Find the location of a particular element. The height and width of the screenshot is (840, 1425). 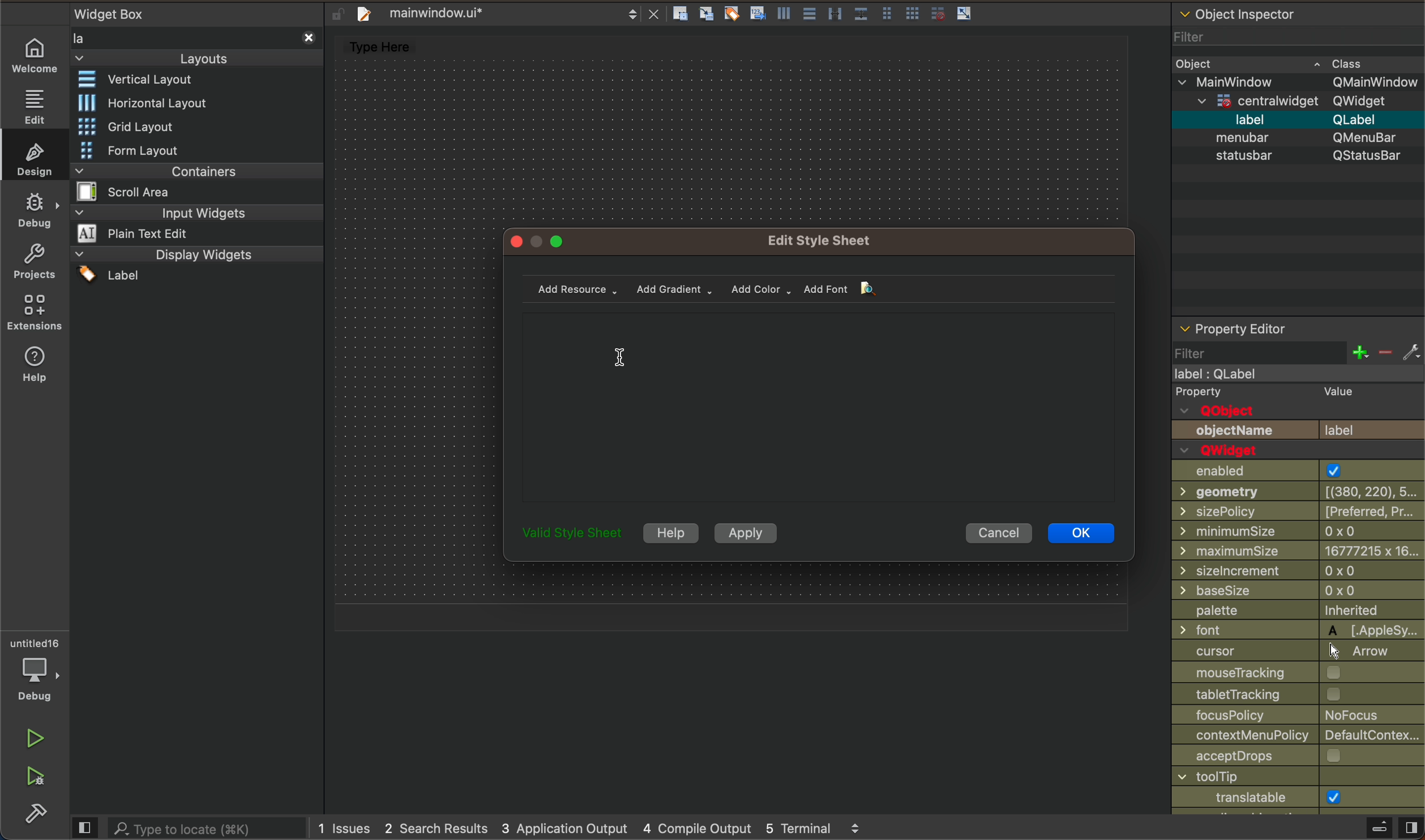

base size is located at coordinates (1296, 592).